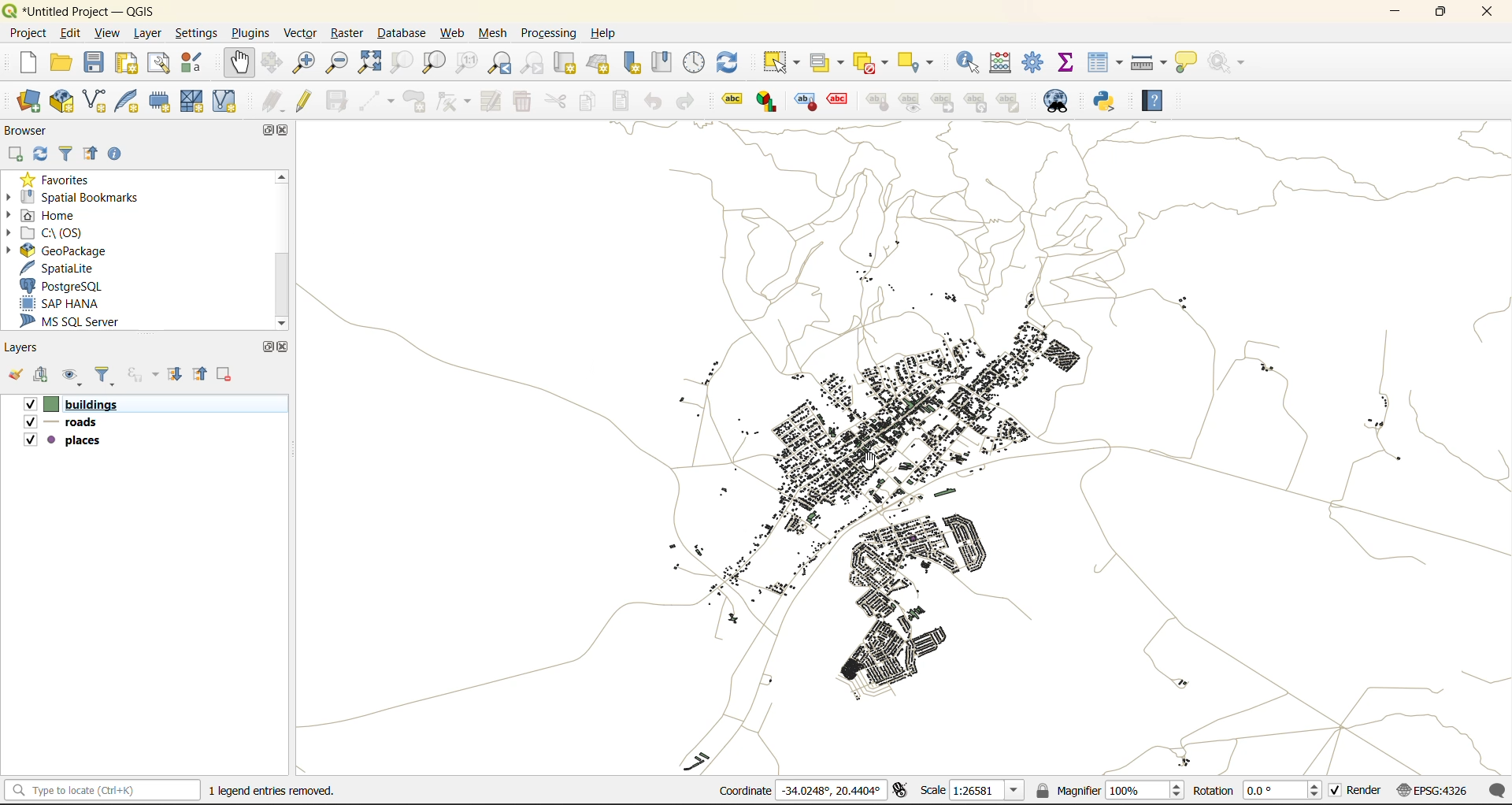 This screenshot has width=1512, height=805. Describe the element at coordinates (843, 99) in the screenshot. I see `Effect` at that location.